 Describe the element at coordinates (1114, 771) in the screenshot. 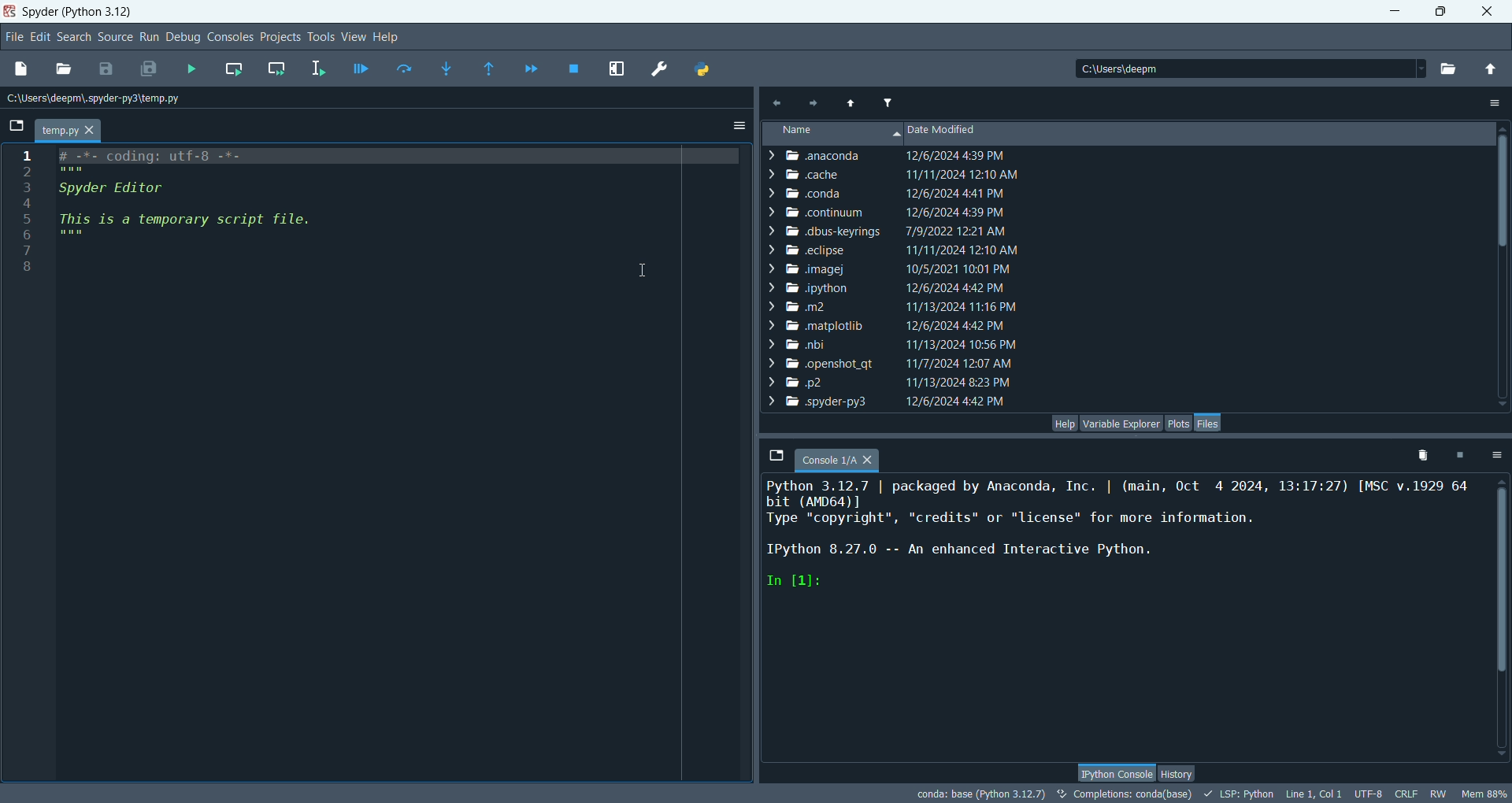

I see `IPython console` at that location.